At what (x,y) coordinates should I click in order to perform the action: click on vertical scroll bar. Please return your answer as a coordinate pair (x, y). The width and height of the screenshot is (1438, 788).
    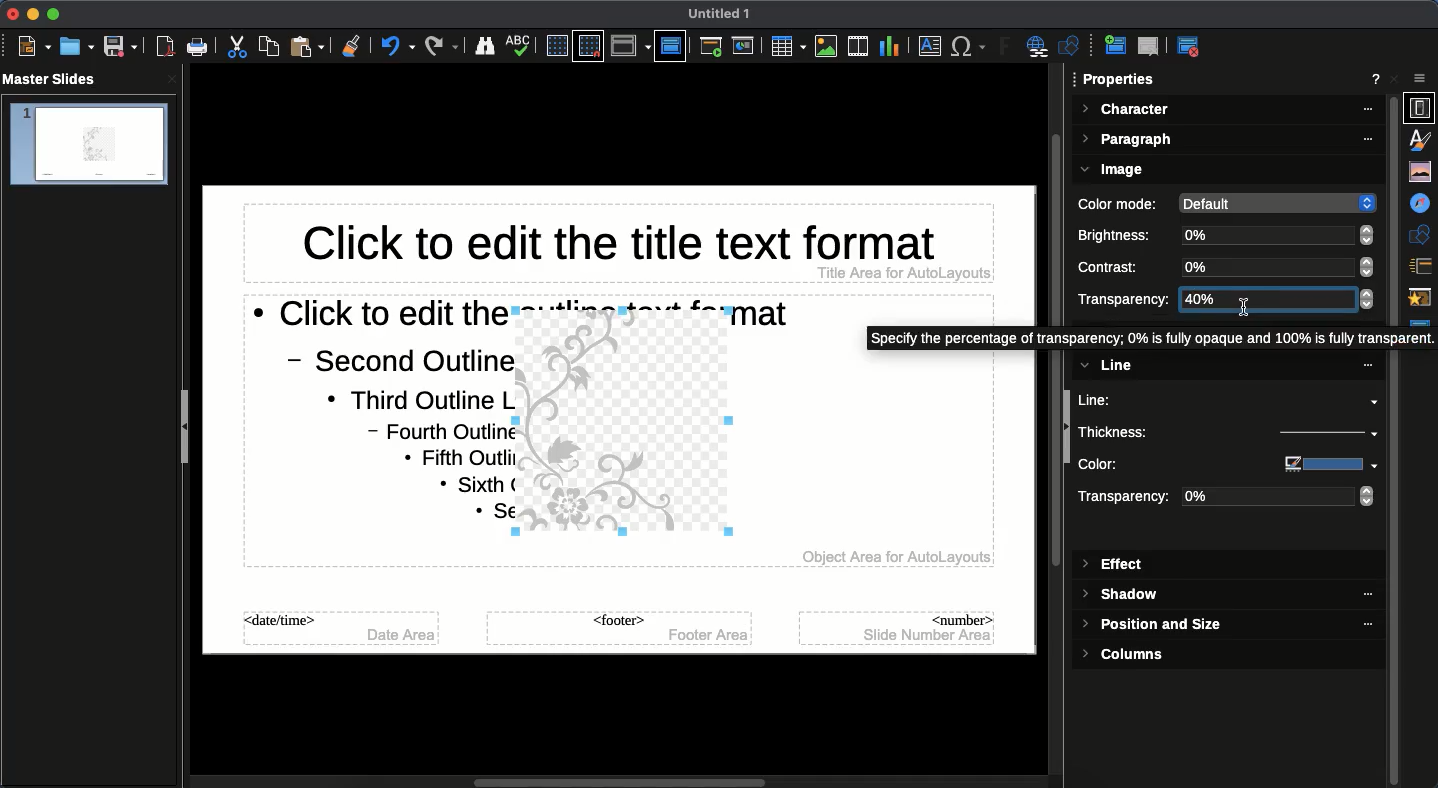
    Looking at the image, I should click on (1049, 220).